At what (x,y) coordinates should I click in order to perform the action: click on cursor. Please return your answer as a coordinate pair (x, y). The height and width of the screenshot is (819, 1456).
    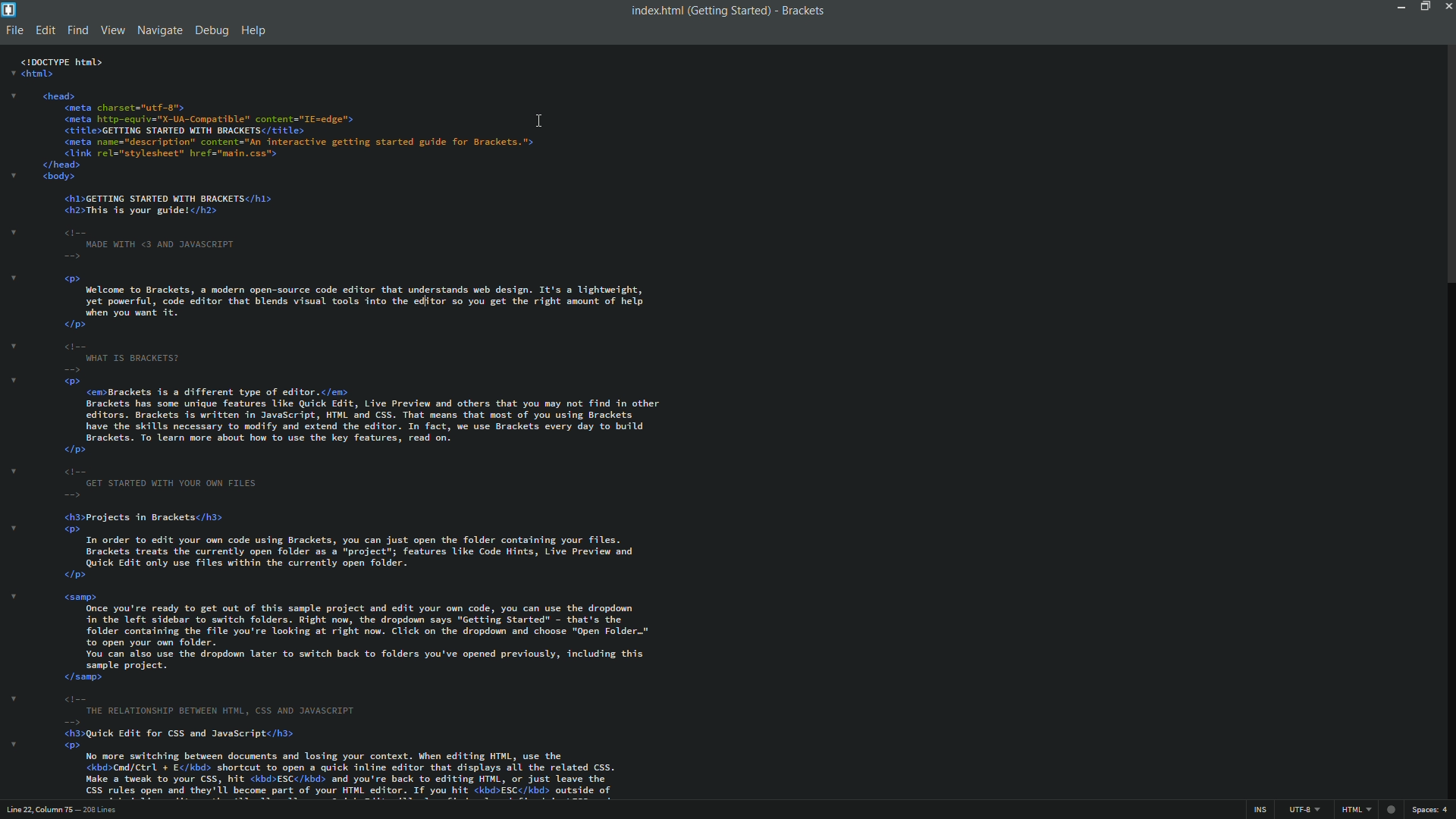
    Looking at the image, I should click on (544, 121).